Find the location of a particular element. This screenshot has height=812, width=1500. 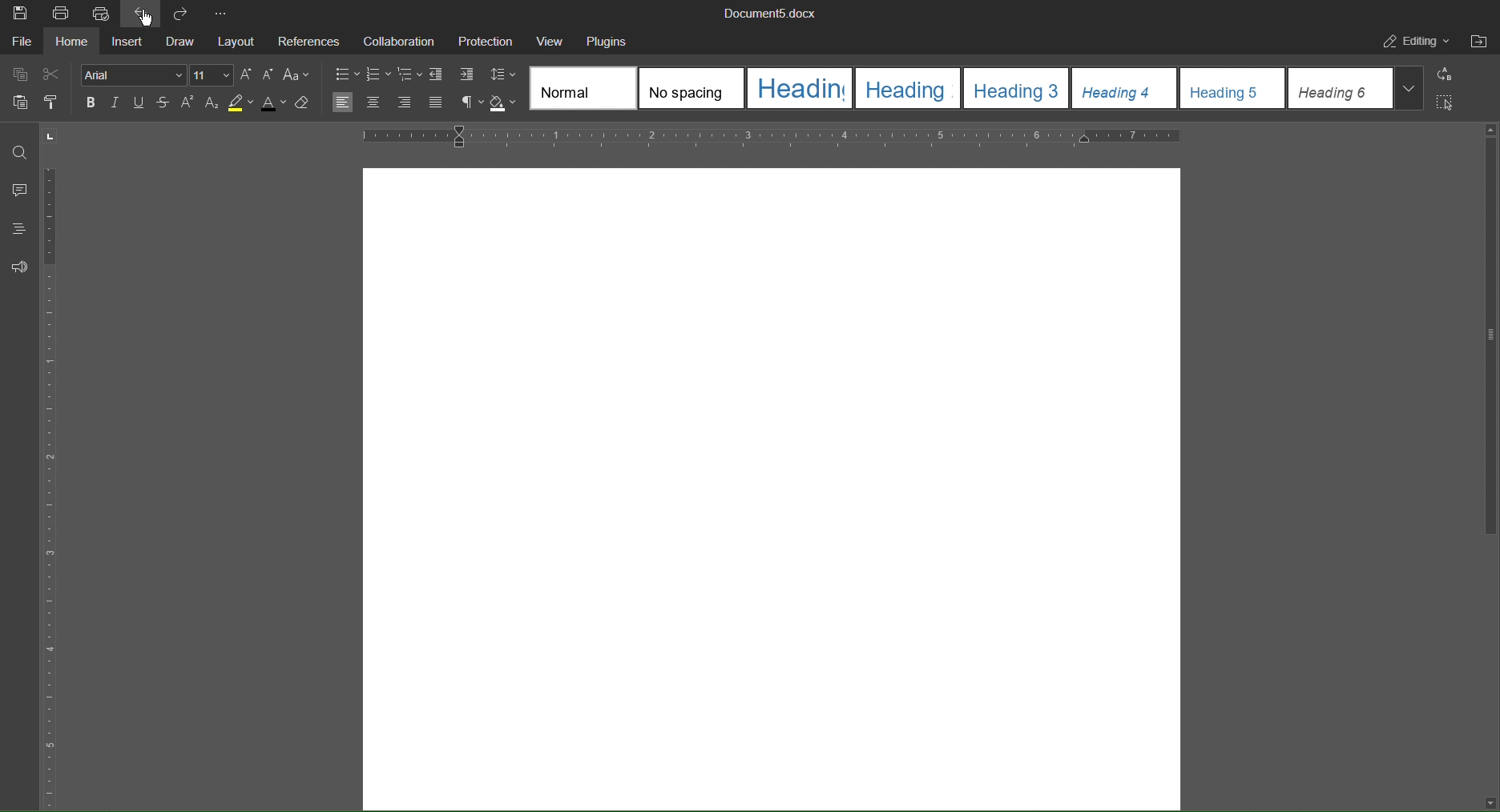

Cursor is located at coordinates (147, 18).